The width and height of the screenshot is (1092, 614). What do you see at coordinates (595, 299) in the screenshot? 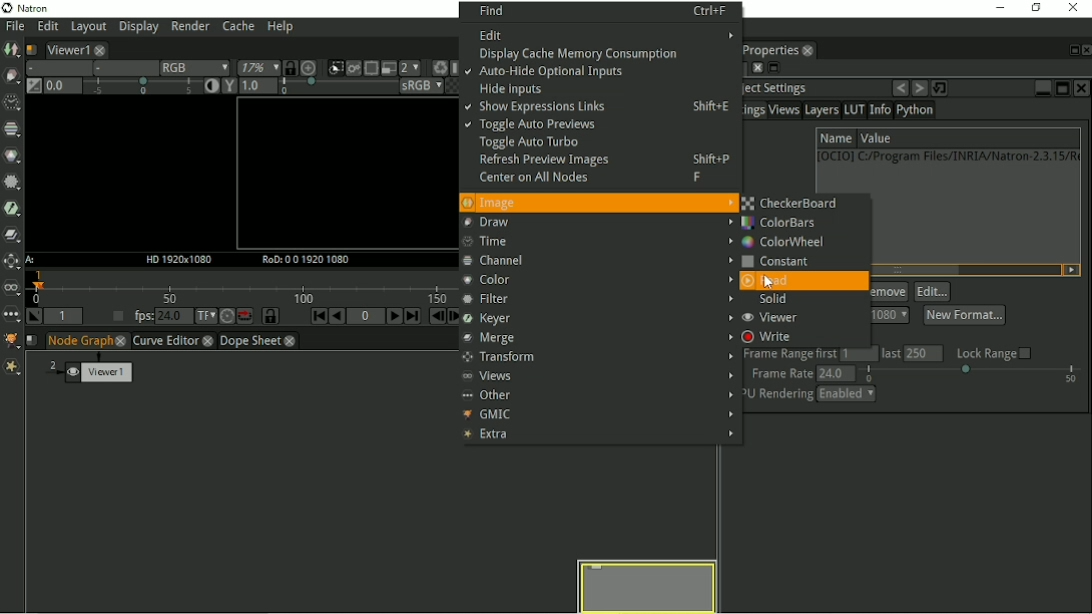
I see `Filter` at bounding box center [595, 299].